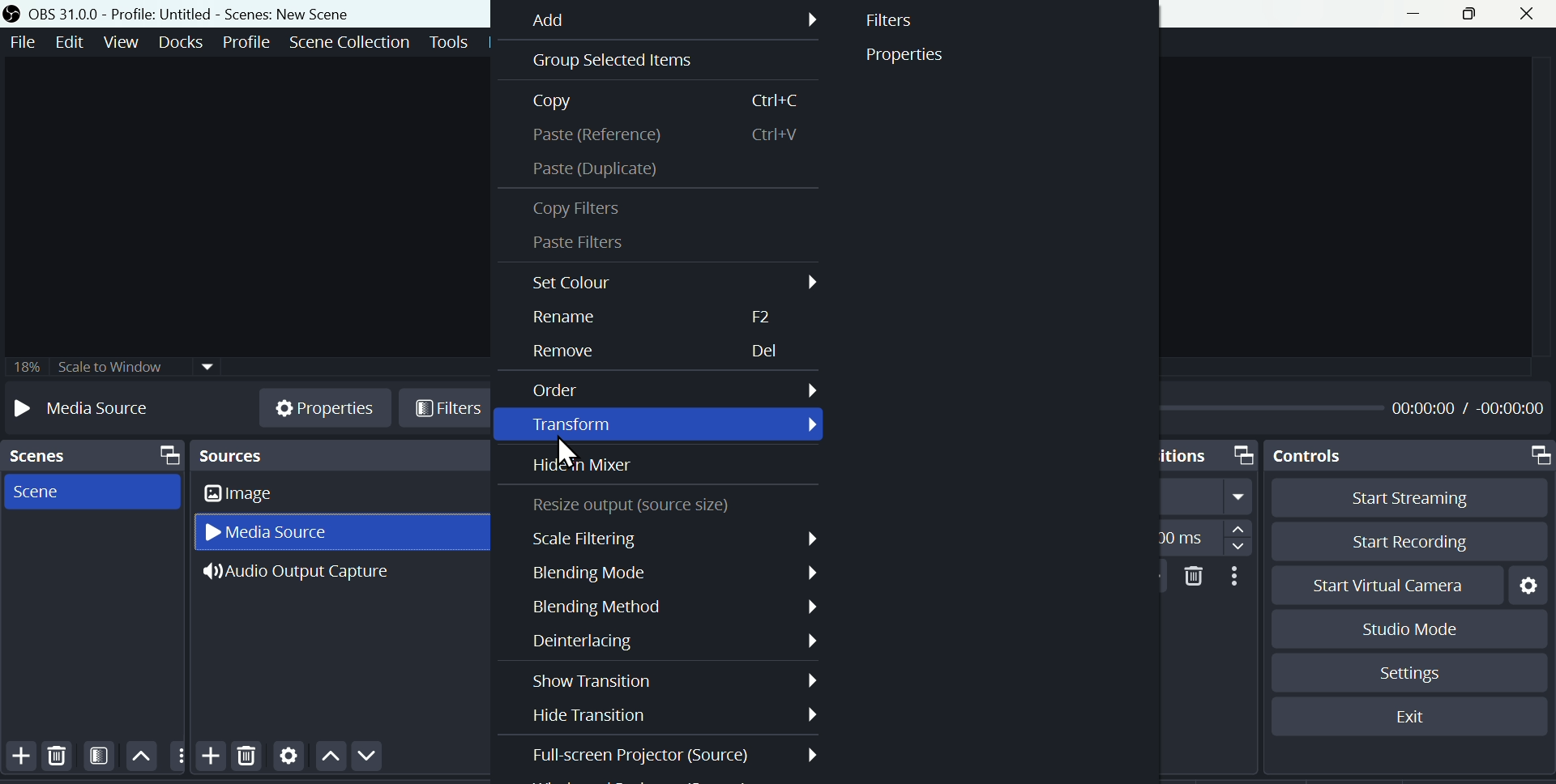 The height and width of the screenshot is (784, 1556). Describe the element at coordinates (325, 404) in the screenshot. I see `properties` at that location.